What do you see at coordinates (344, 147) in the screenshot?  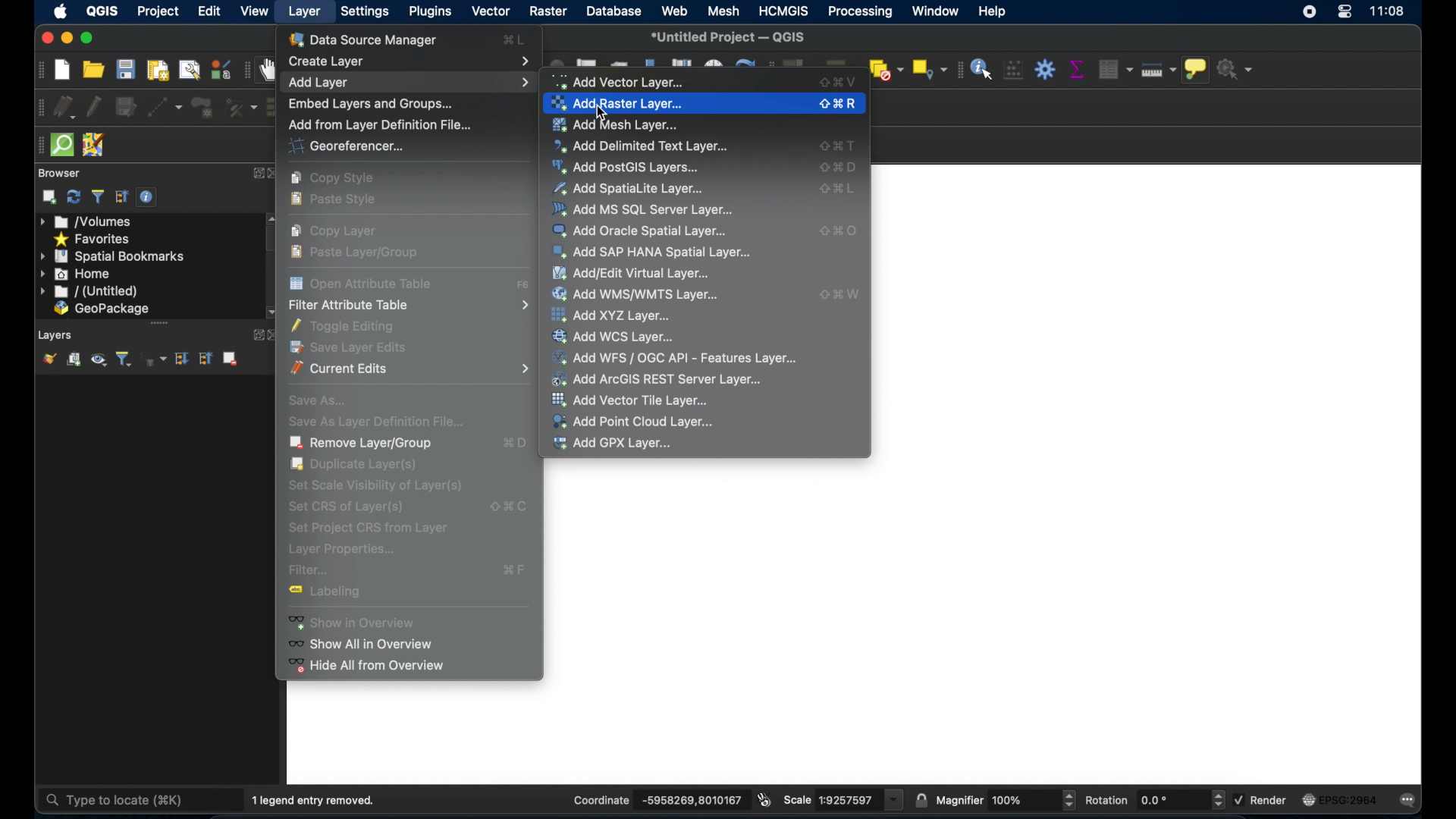 I see `georeferencer` at bounding box center [344, 147].